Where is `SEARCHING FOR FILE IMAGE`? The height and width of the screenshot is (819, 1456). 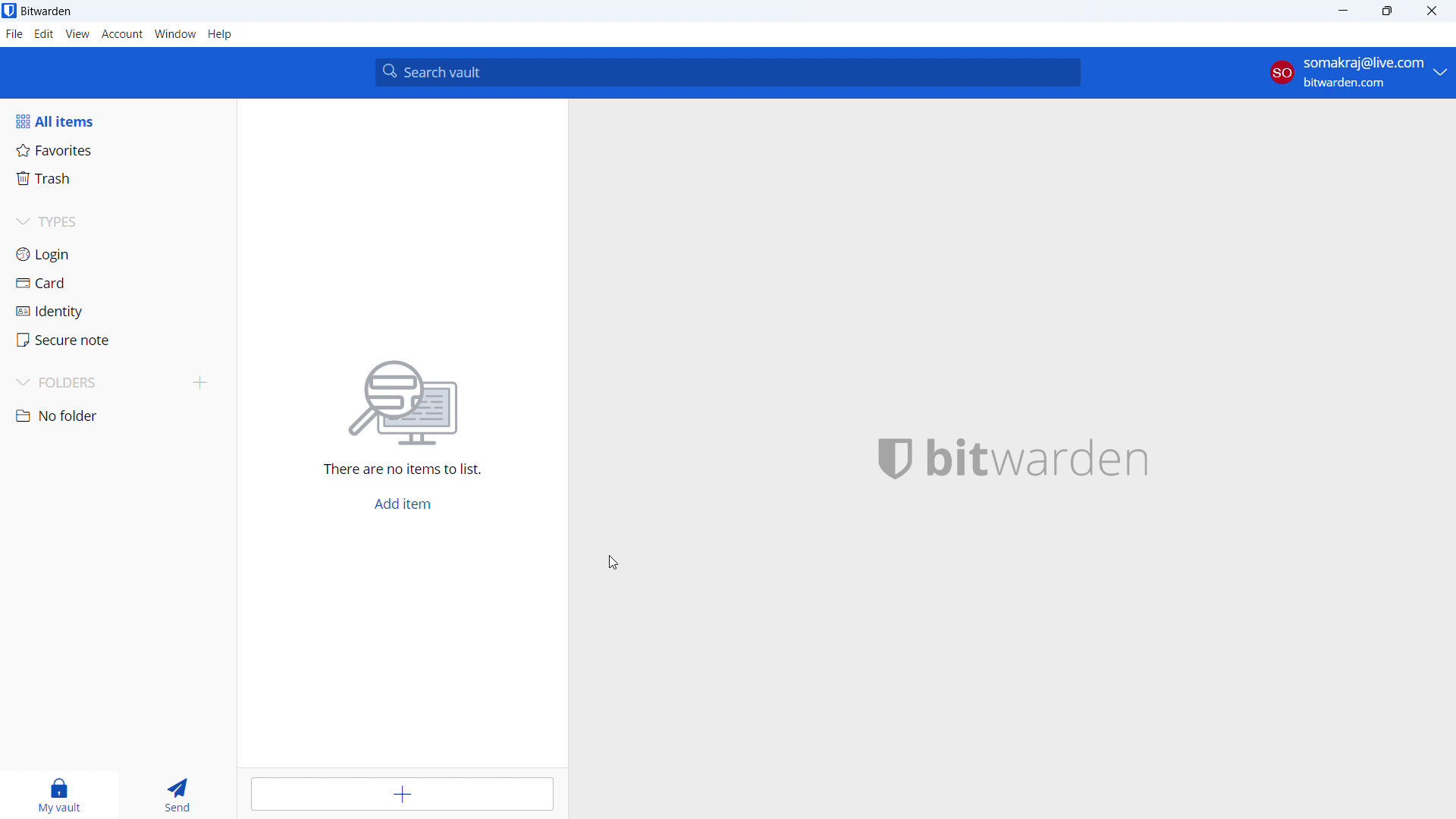
SEARCHING FOR FILE IMAGE is located at coordinates (408, 400).